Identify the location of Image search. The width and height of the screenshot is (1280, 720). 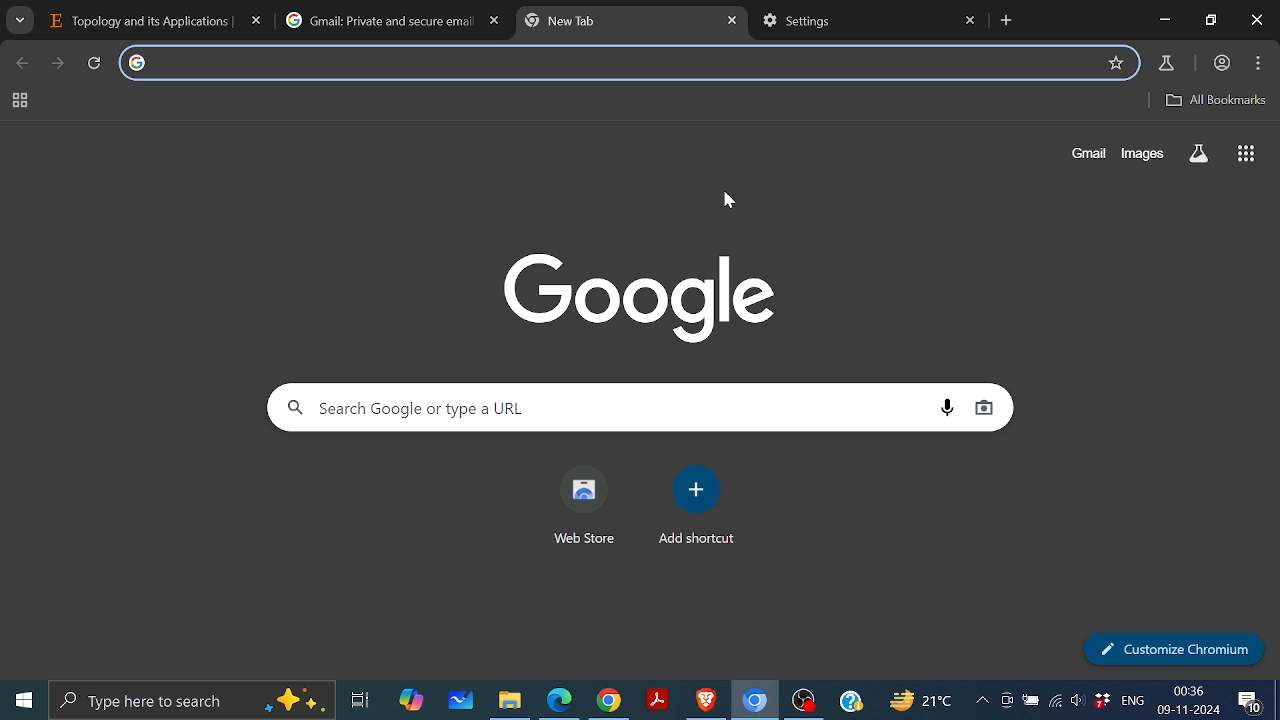
(983, 409).